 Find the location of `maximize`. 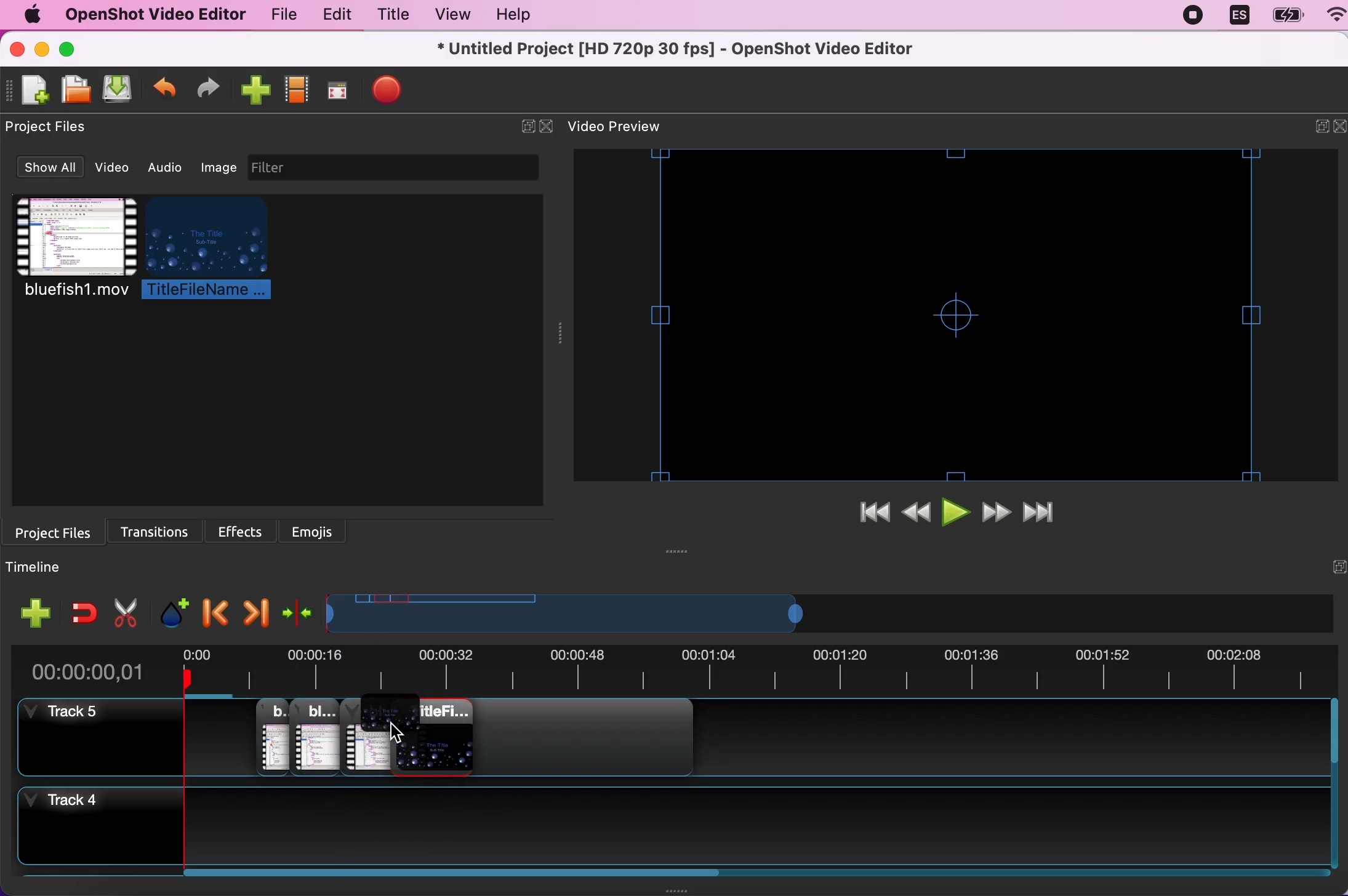

maximize is located at coordinates (74, 49).